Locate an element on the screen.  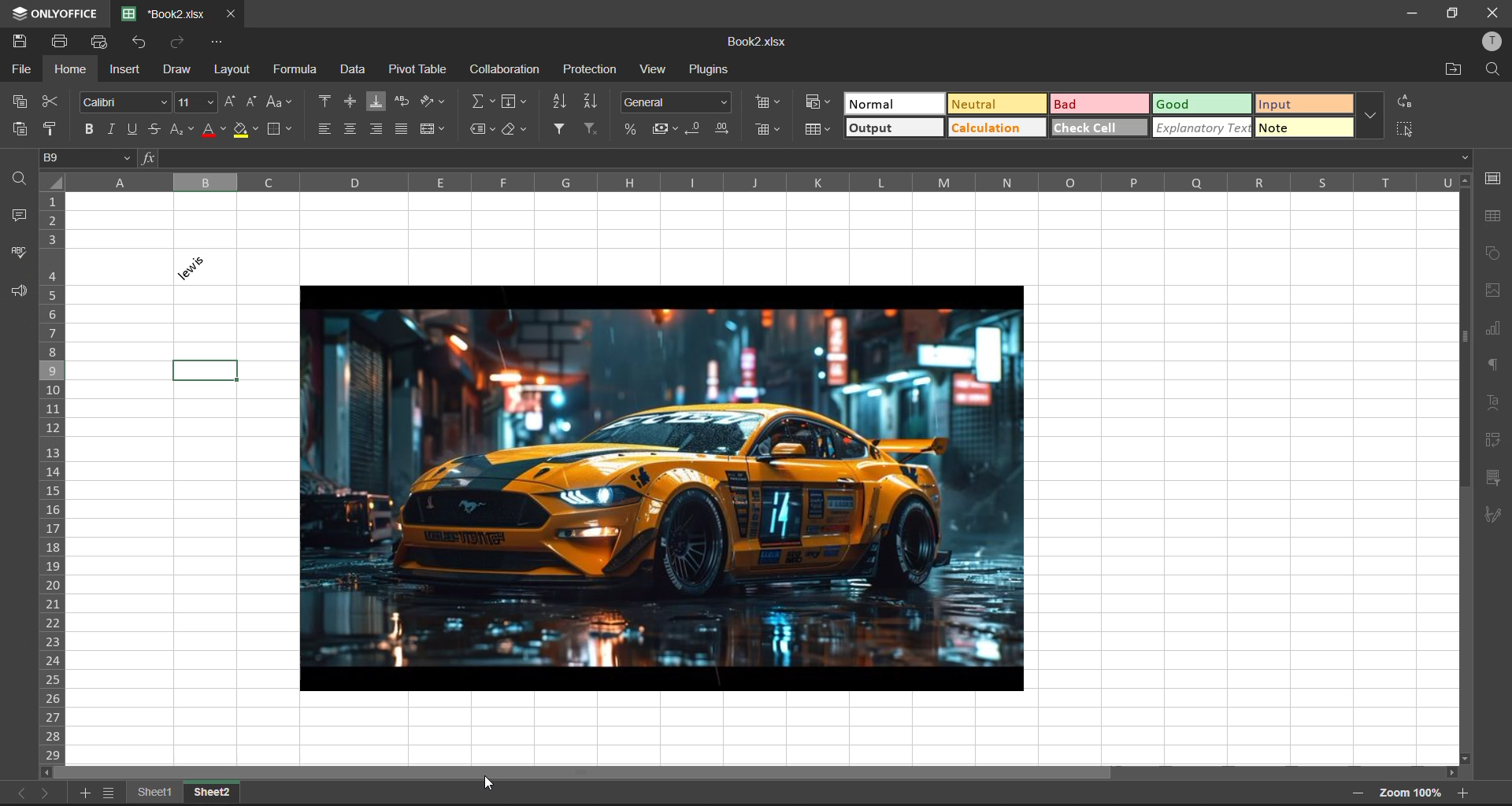
explanatory text  is located at coordinates (1199, 128).